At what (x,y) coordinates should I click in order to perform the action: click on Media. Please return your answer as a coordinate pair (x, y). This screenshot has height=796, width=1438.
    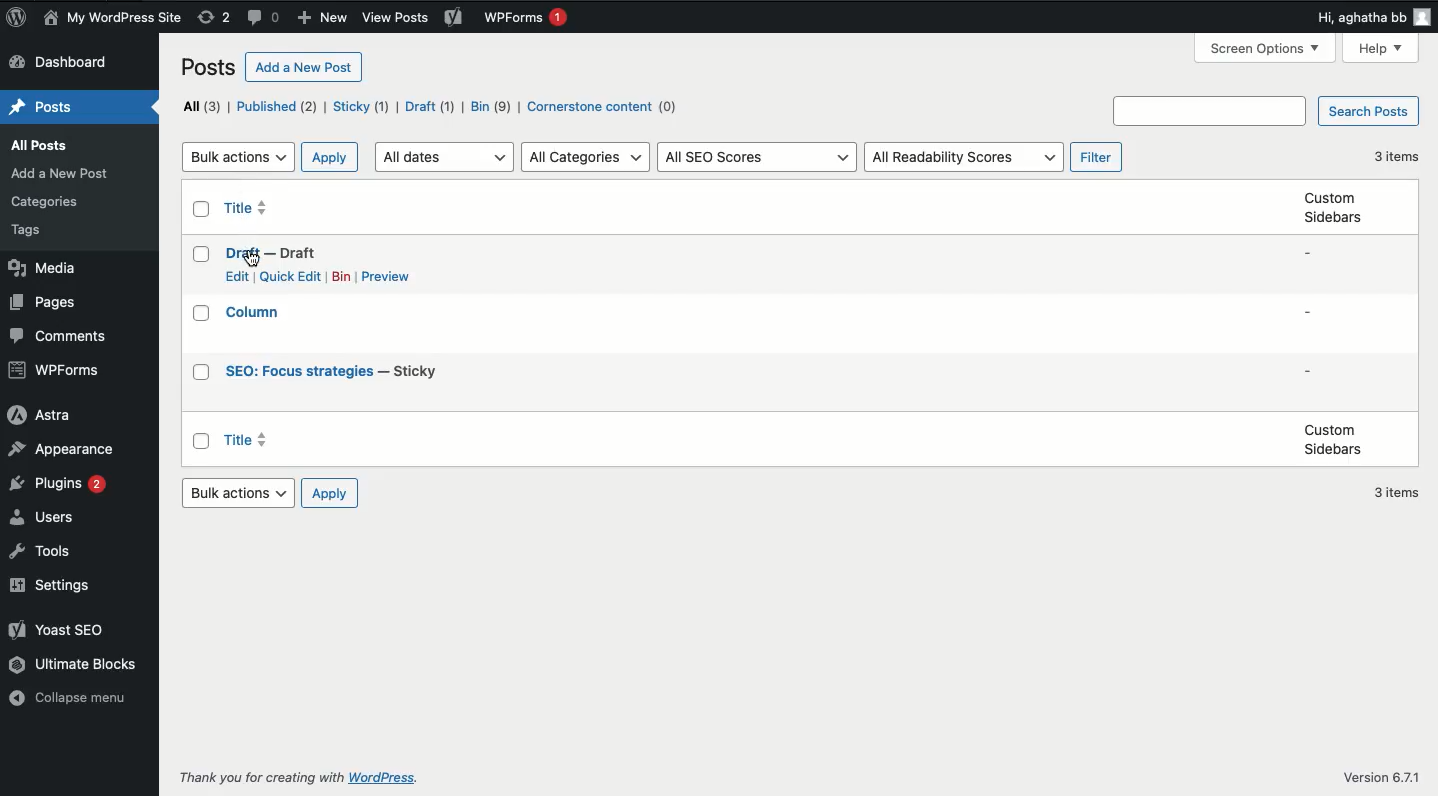
    Looking at the image, I should click on (44, 268).